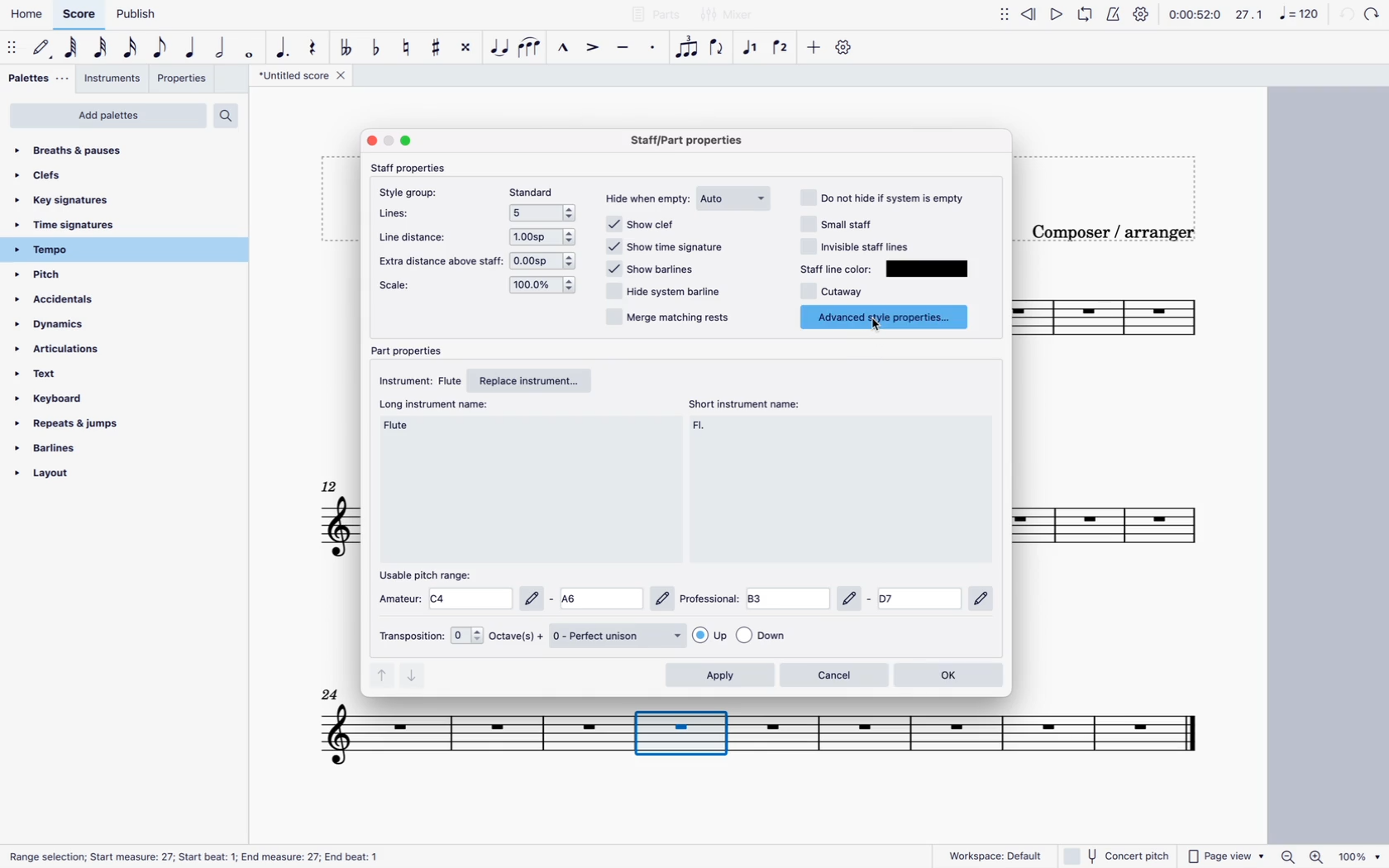  What do you see at coordinates (671, 321) in the screenshot?
I see `merge matching rests` at bounding box center [671, 321].